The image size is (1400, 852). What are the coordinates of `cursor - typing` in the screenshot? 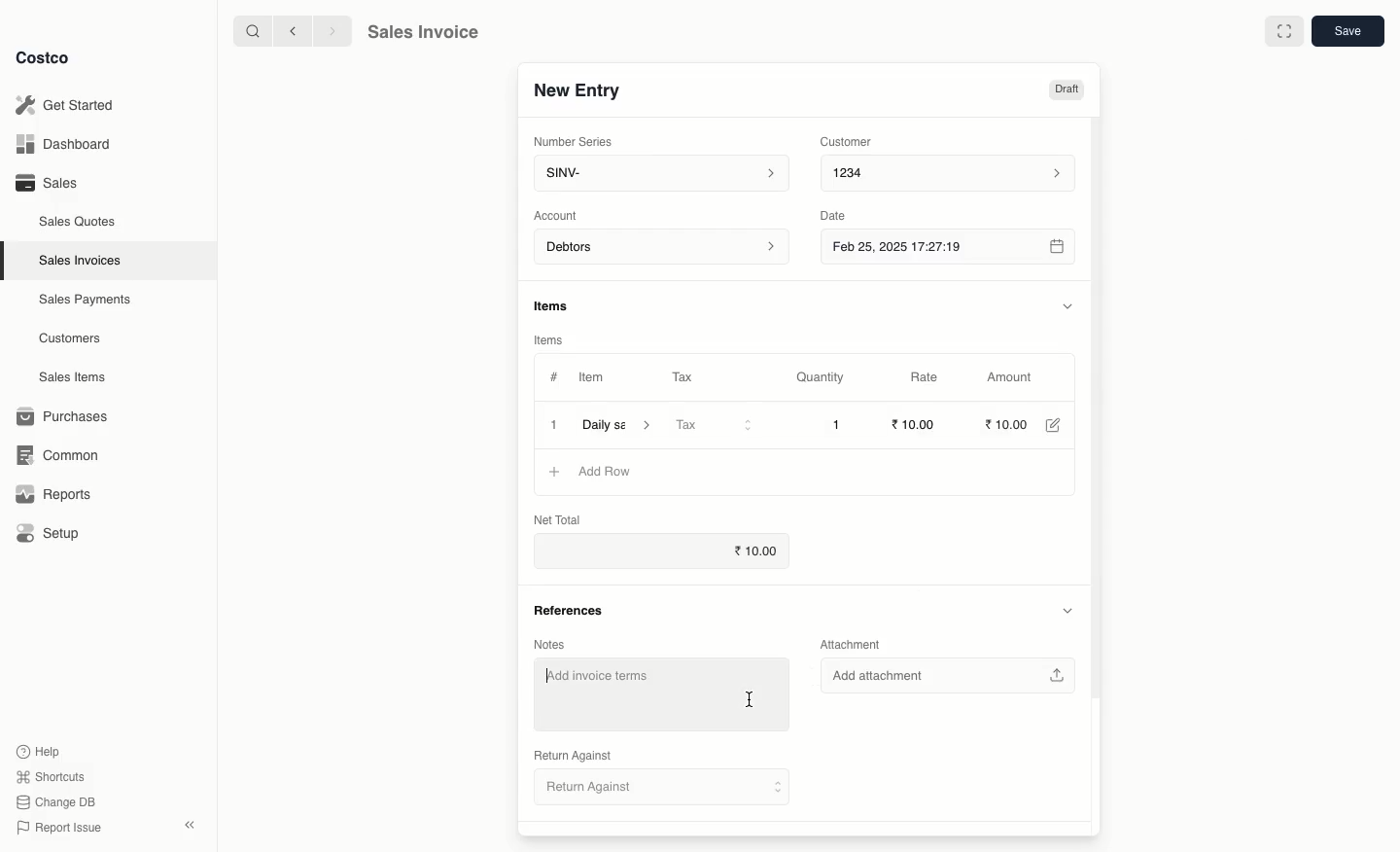 It's located at (753, 699).